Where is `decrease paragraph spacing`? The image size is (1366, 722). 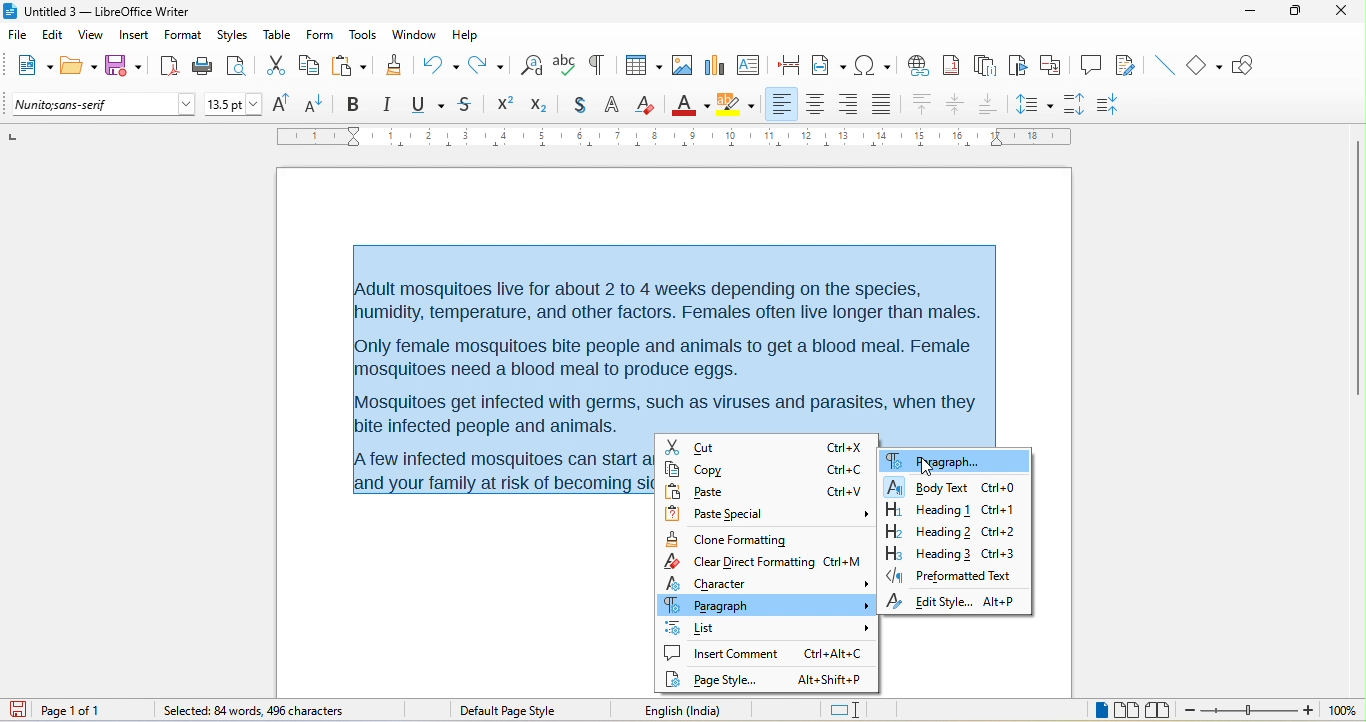
decrease paragraph spacing is located at coordinates (1112, 105).